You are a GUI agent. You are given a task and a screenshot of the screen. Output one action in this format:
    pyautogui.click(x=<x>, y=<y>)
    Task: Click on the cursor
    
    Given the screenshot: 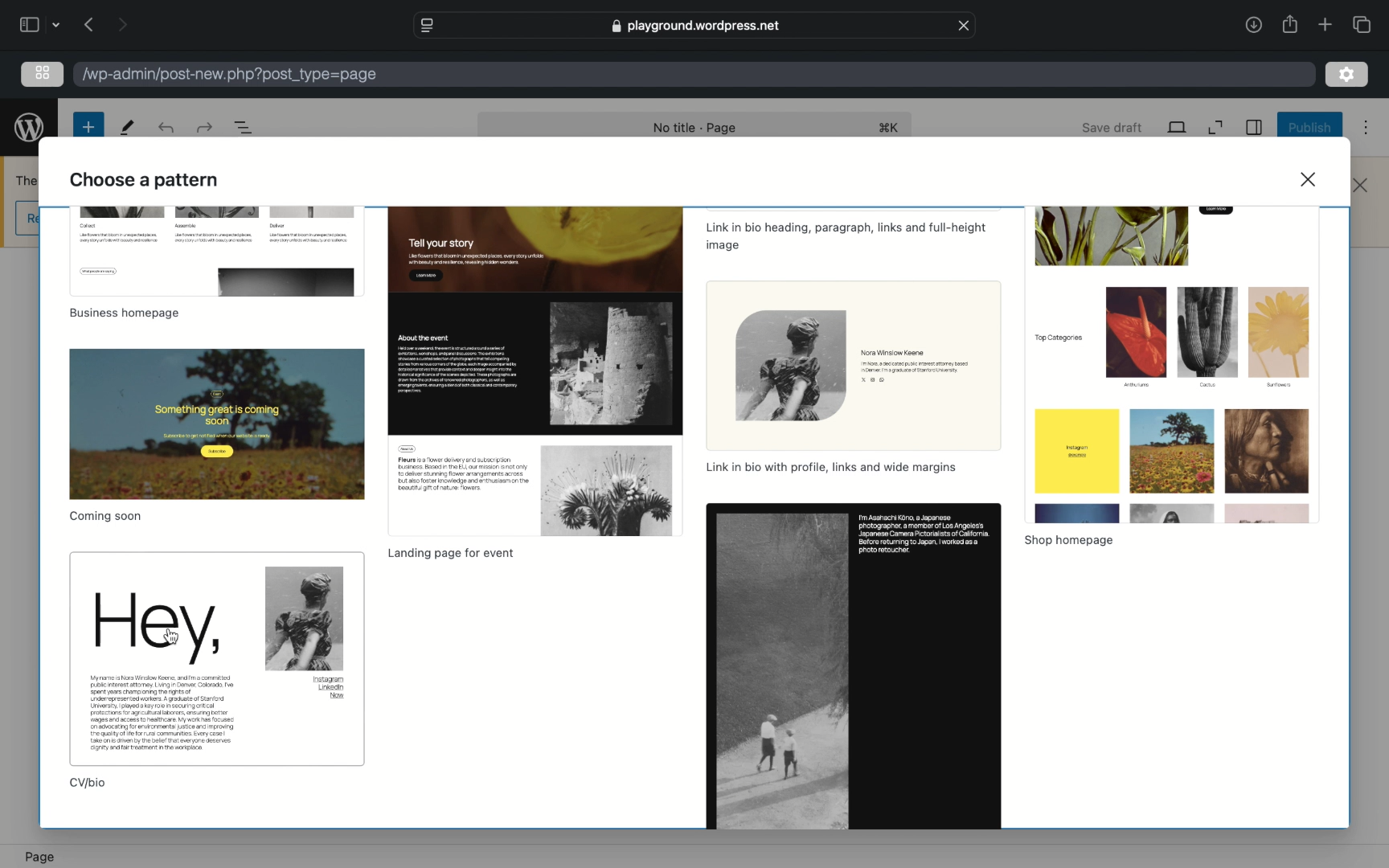 What is the action you would take?
    pyautogui.click(x=173, y=637)
    